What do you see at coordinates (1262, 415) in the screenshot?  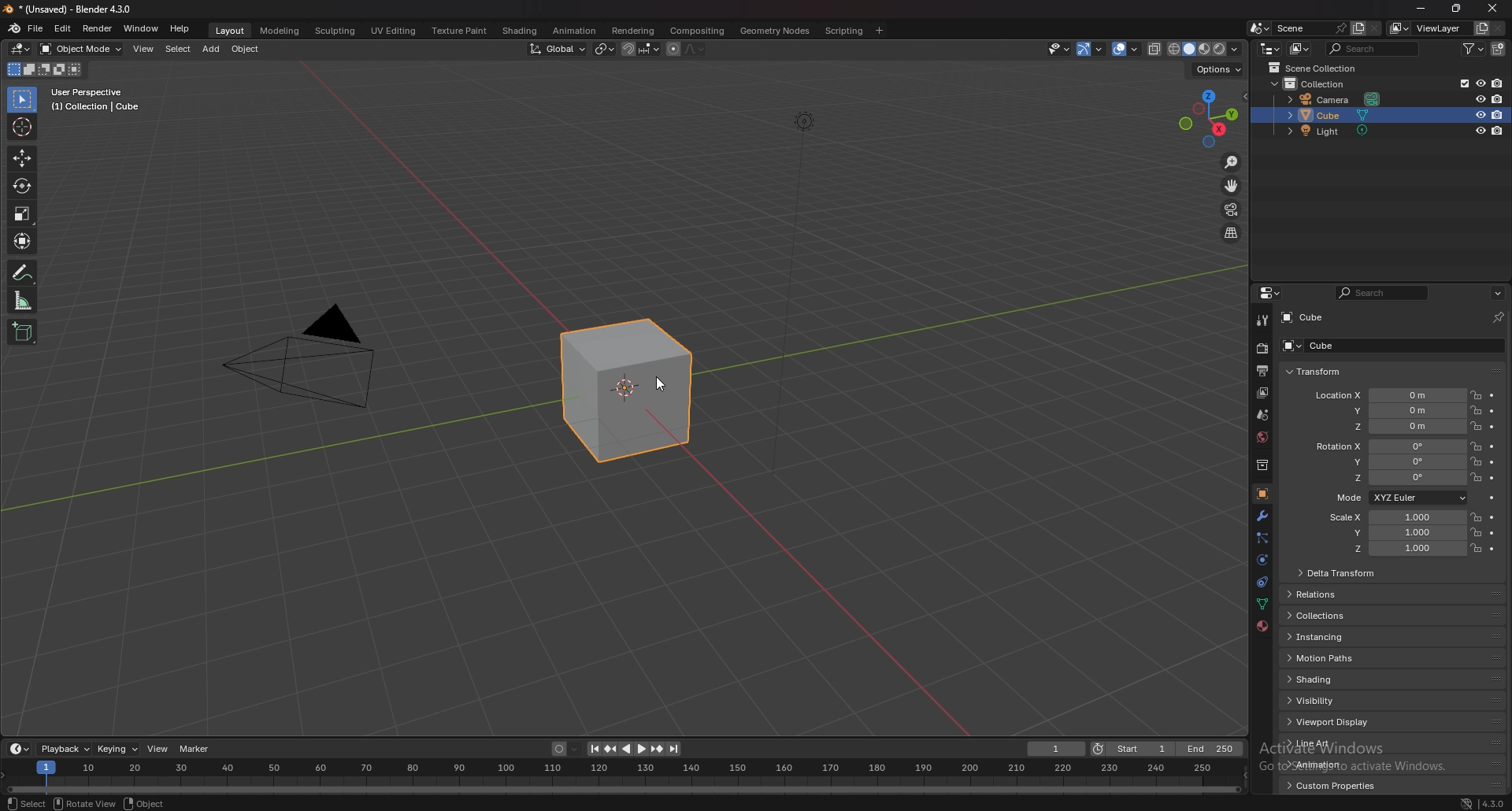 I see `scene` at bounding box center [1262, 415].